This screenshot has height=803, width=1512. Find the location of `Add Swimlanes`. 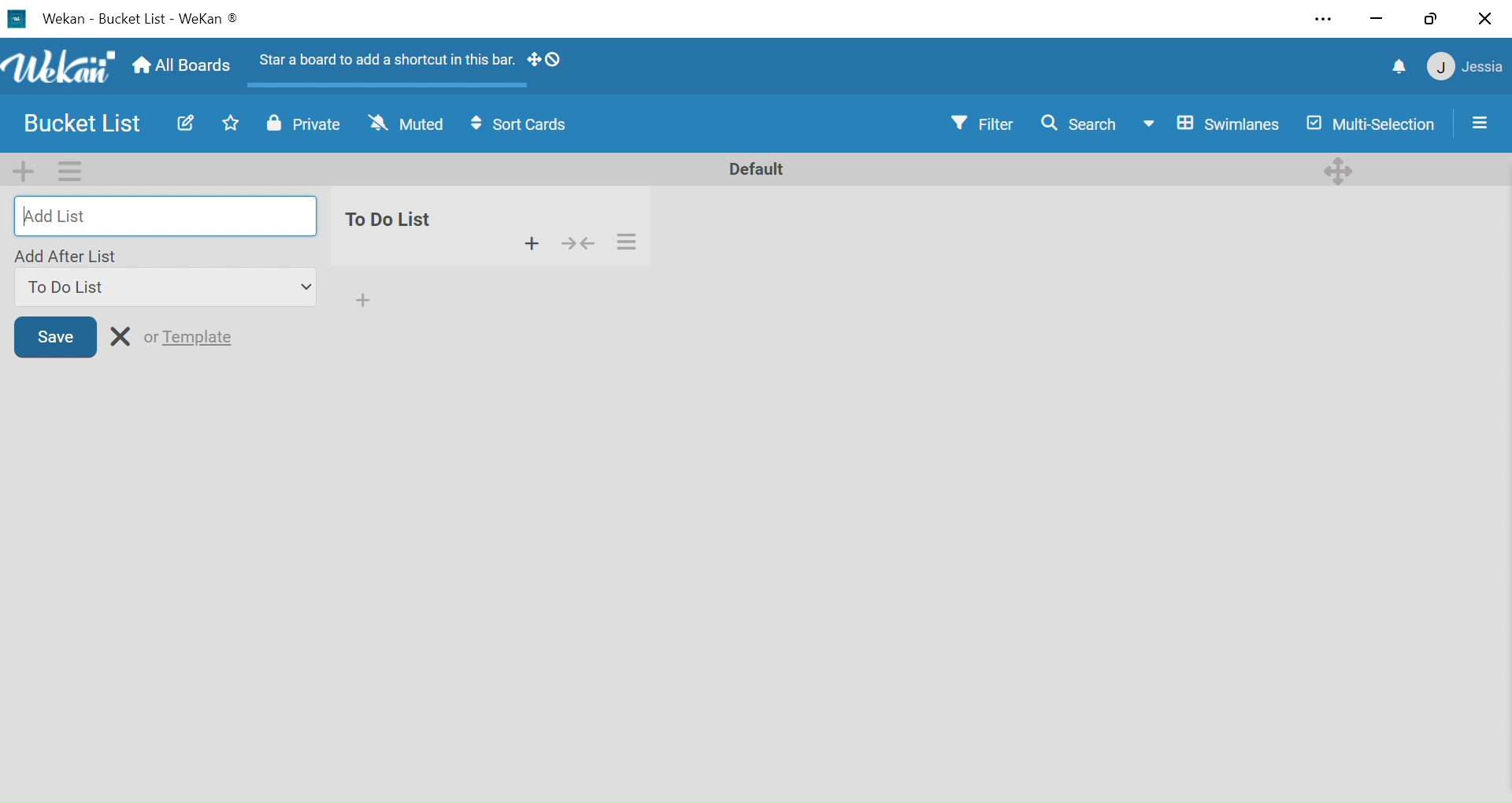

Add Swimlanes is located at coordinates (27, 170).